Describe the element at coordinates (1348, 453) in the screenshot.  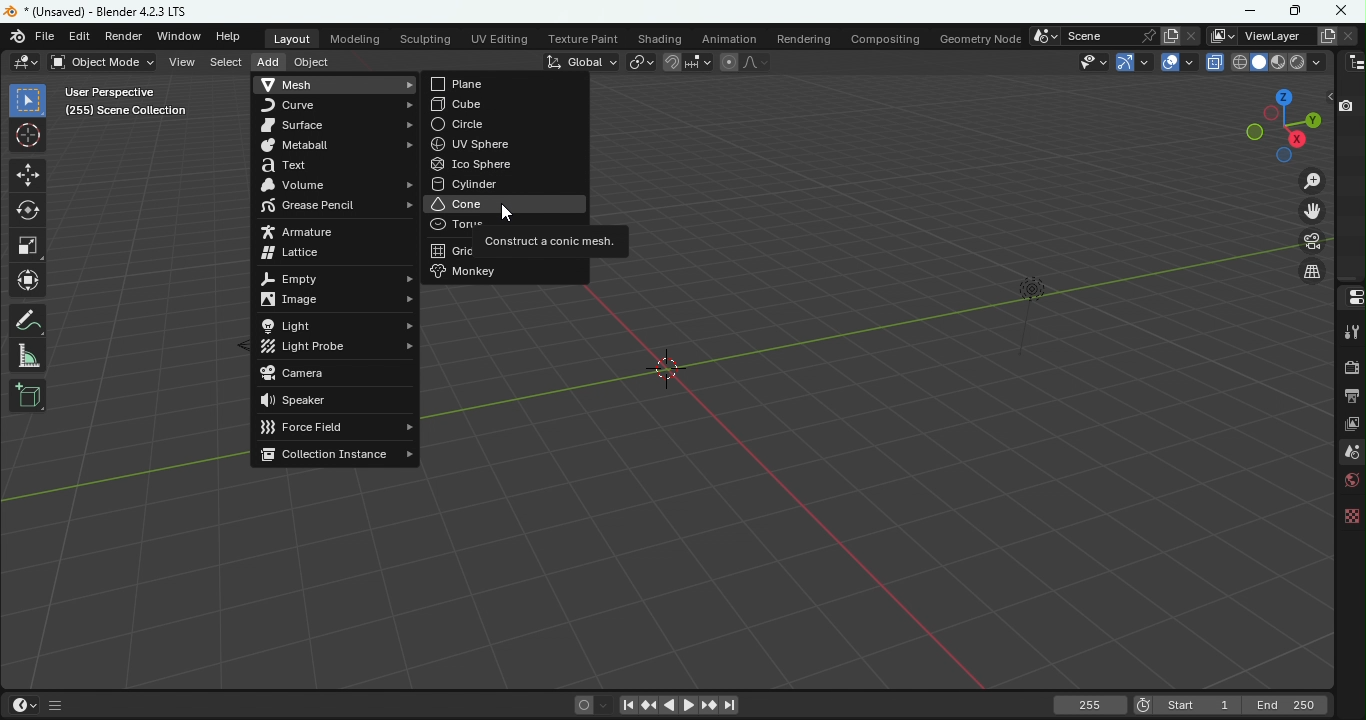
I see `Scene` at that location.